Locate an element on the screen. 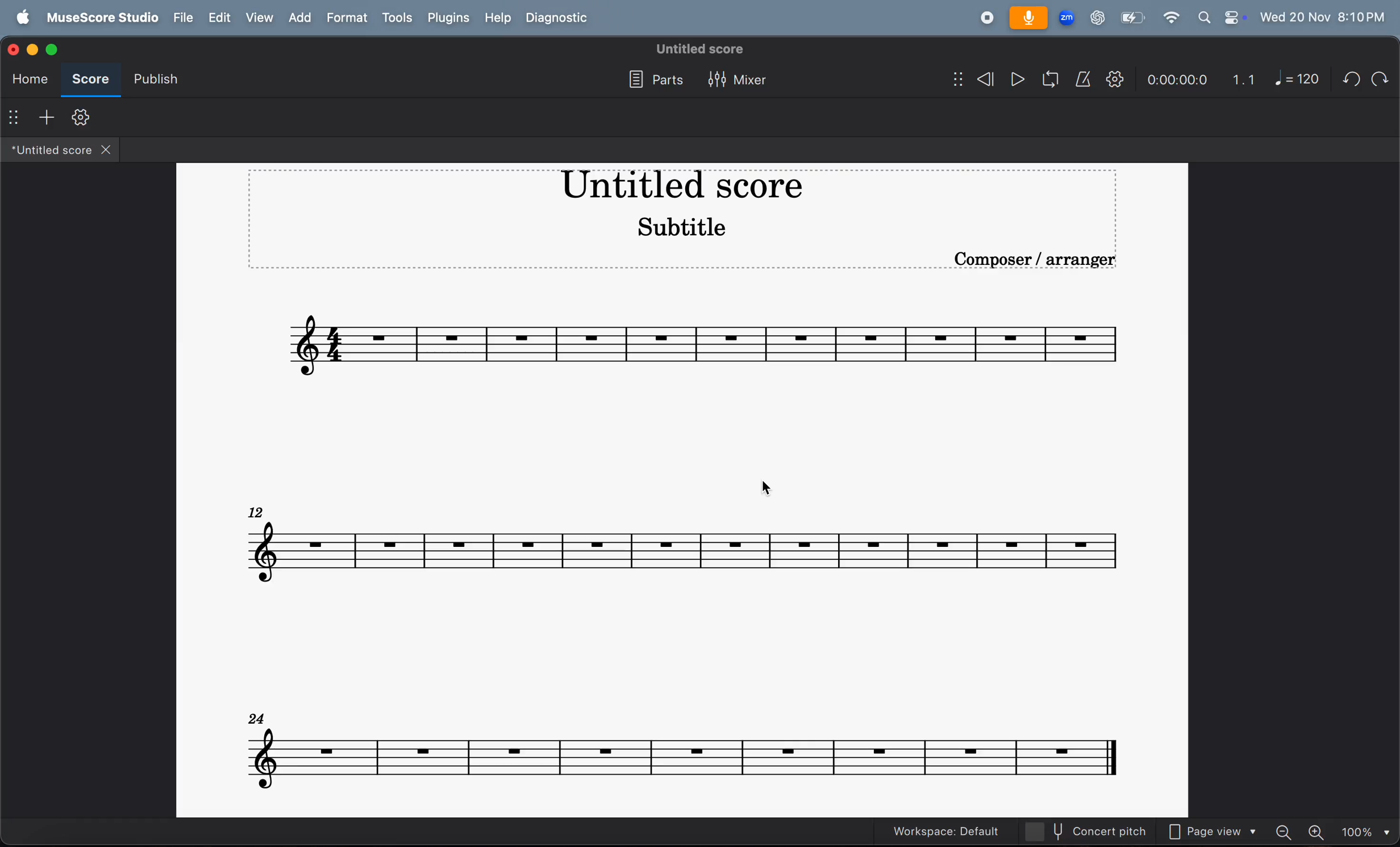 The height and width of the screenshot is (847, 1400). metronome is located at coordinates (1084, 80).